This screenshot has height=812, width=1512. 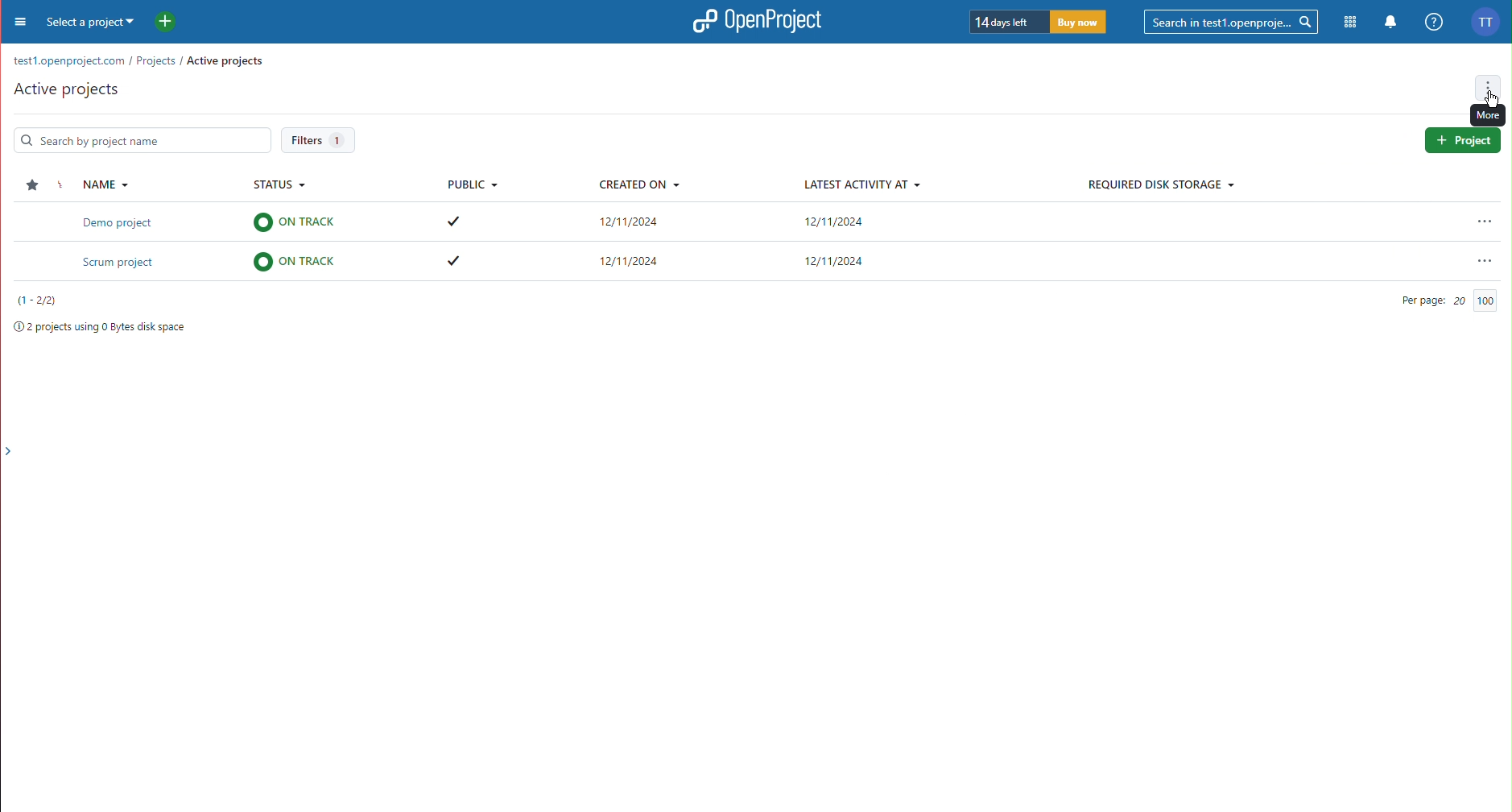 I want to click on Search Bar, so click(x=140, y=138).